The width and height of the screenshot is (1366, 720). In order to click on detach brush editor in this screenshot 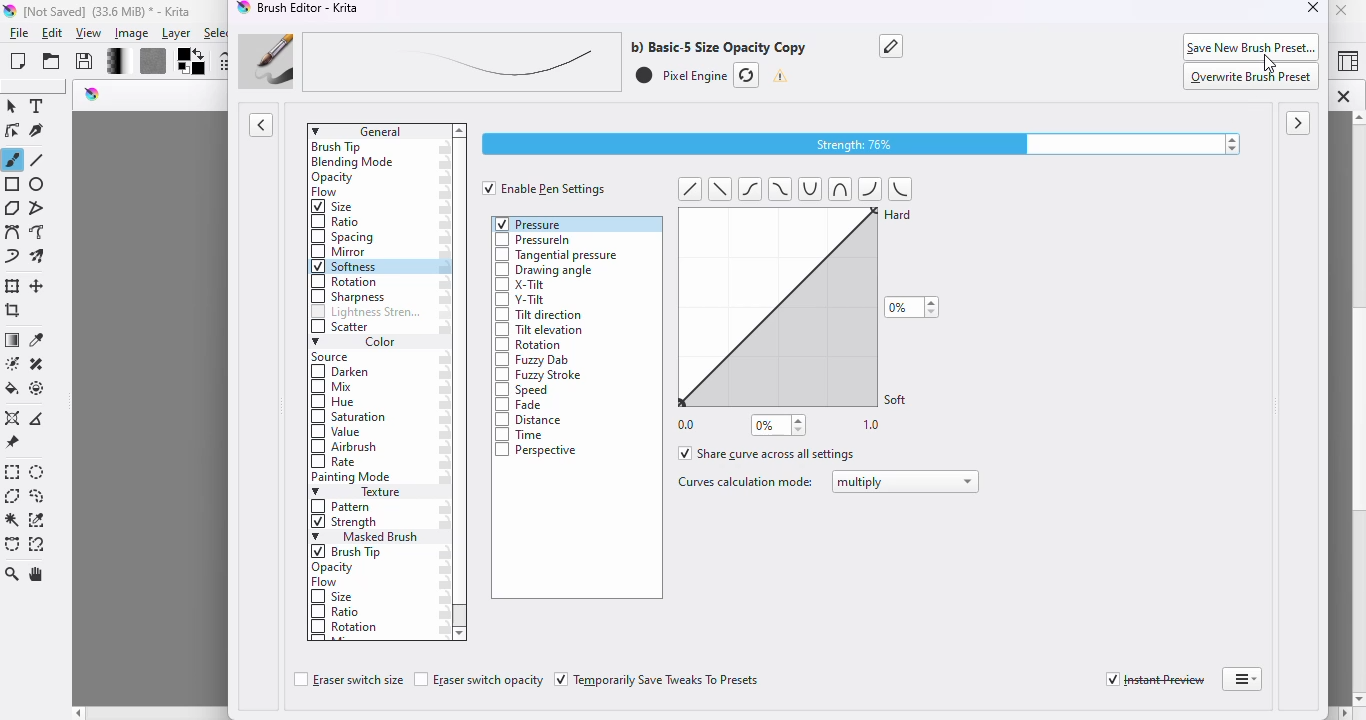, I will do `click(1242, 679)`.